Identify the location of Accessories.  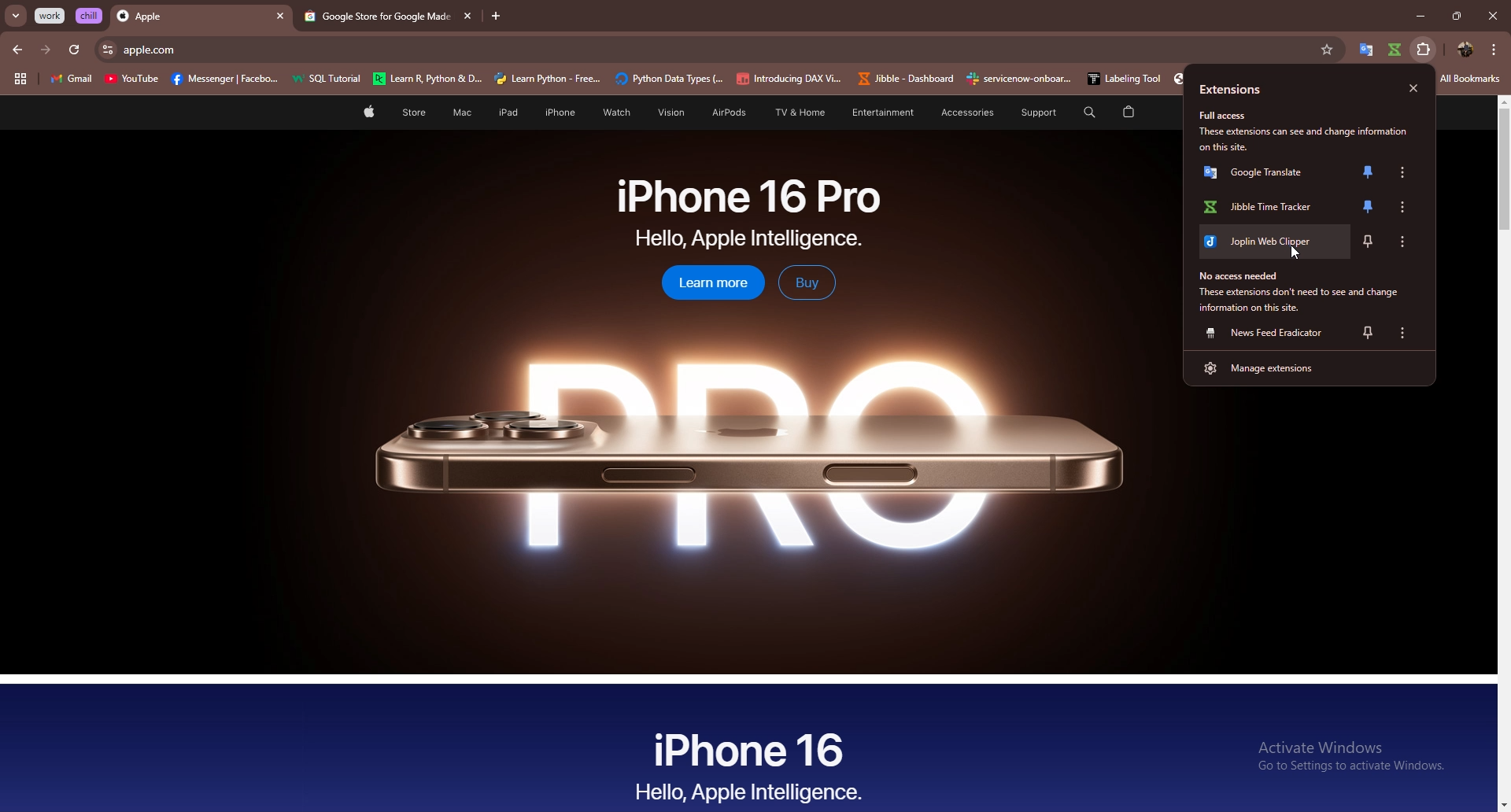
(958, 113).